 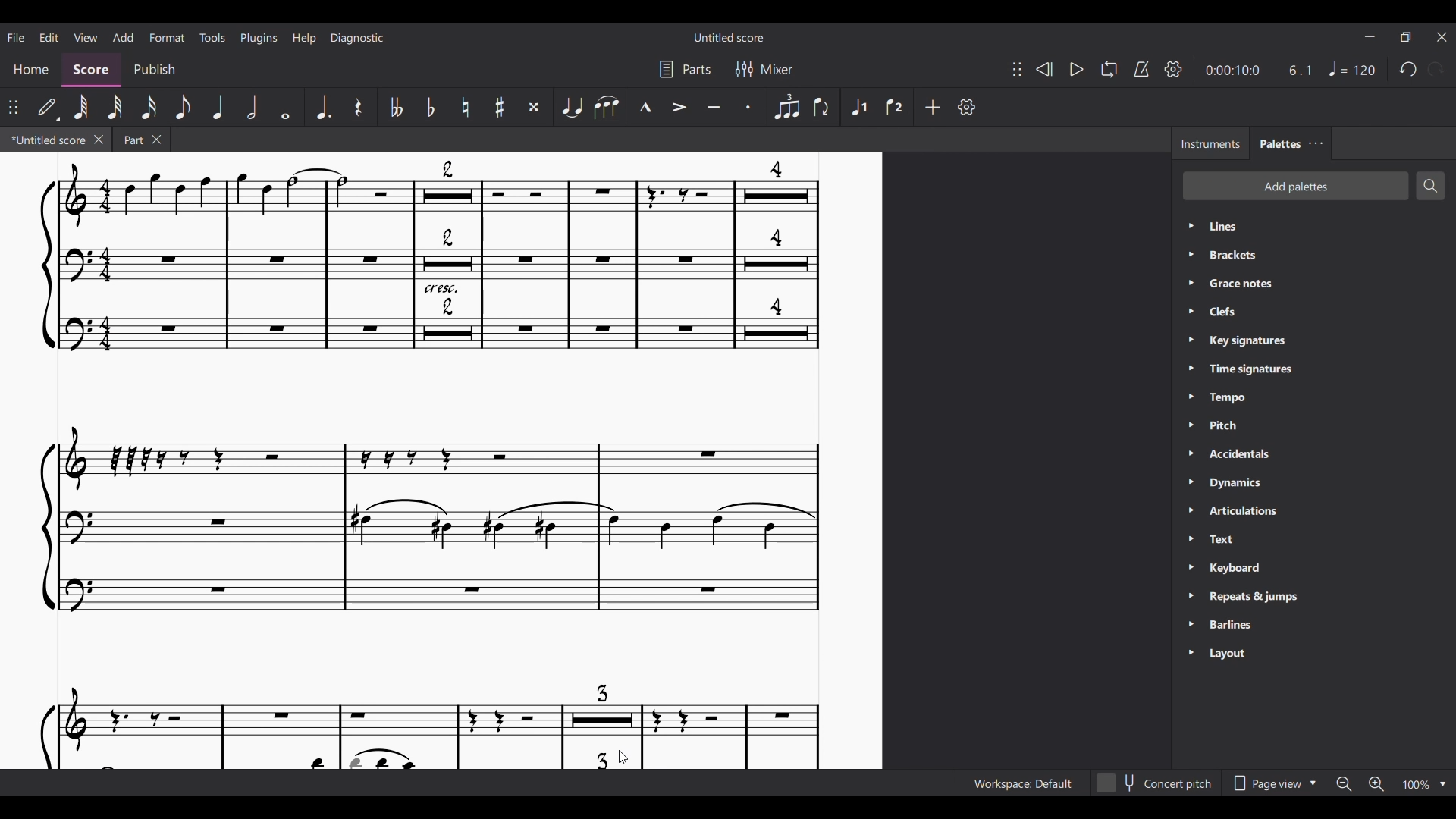 What do you see at coordinates (1405, 37) in the screenshot?
I see `Show interface in a smaller tab` at bounding box center [1405, 37].